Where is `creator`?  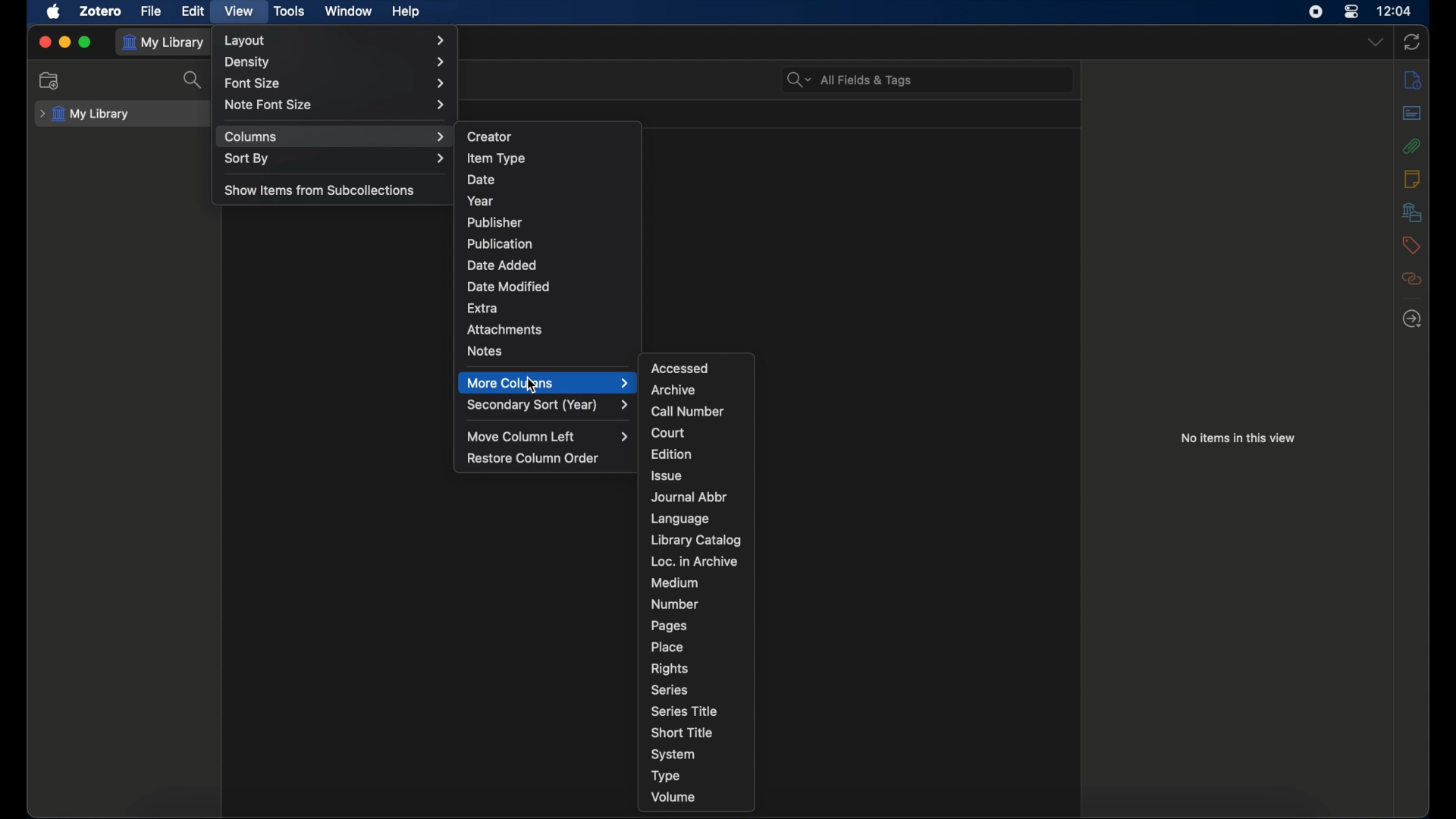
creator is located at coordinates (488, 135).